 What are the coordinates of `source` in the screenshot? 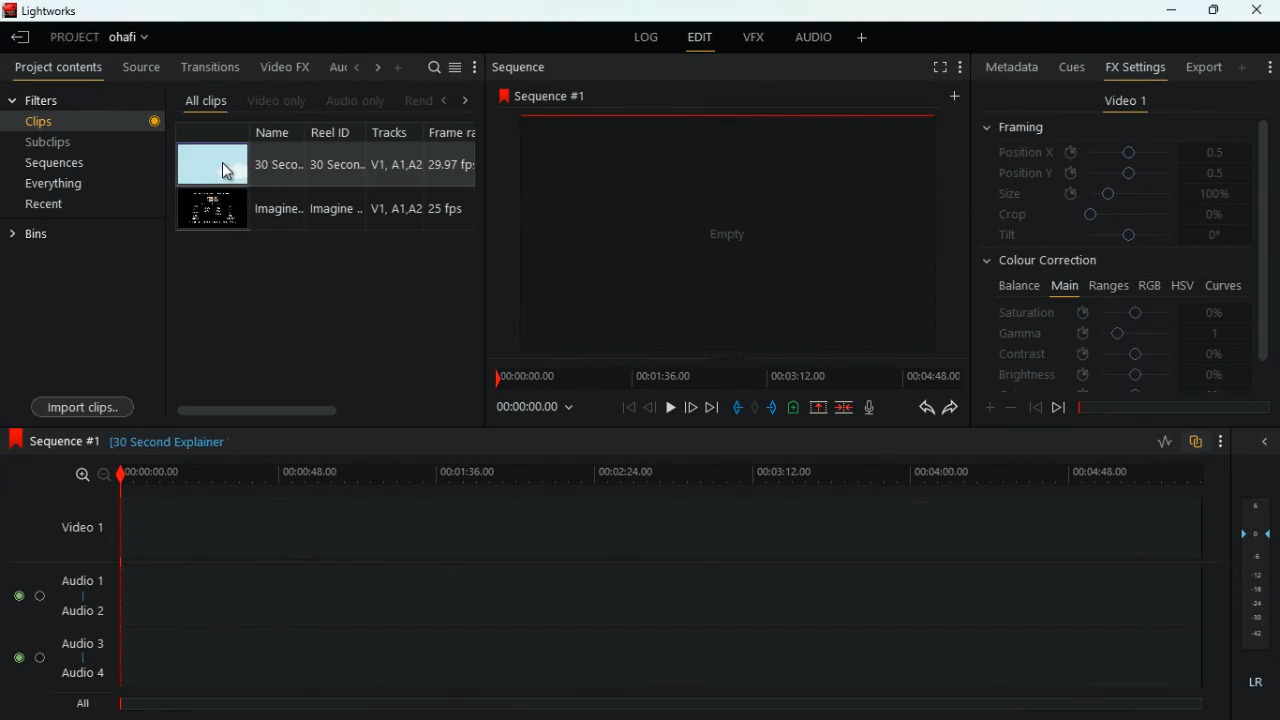 It's located at (138, 66).